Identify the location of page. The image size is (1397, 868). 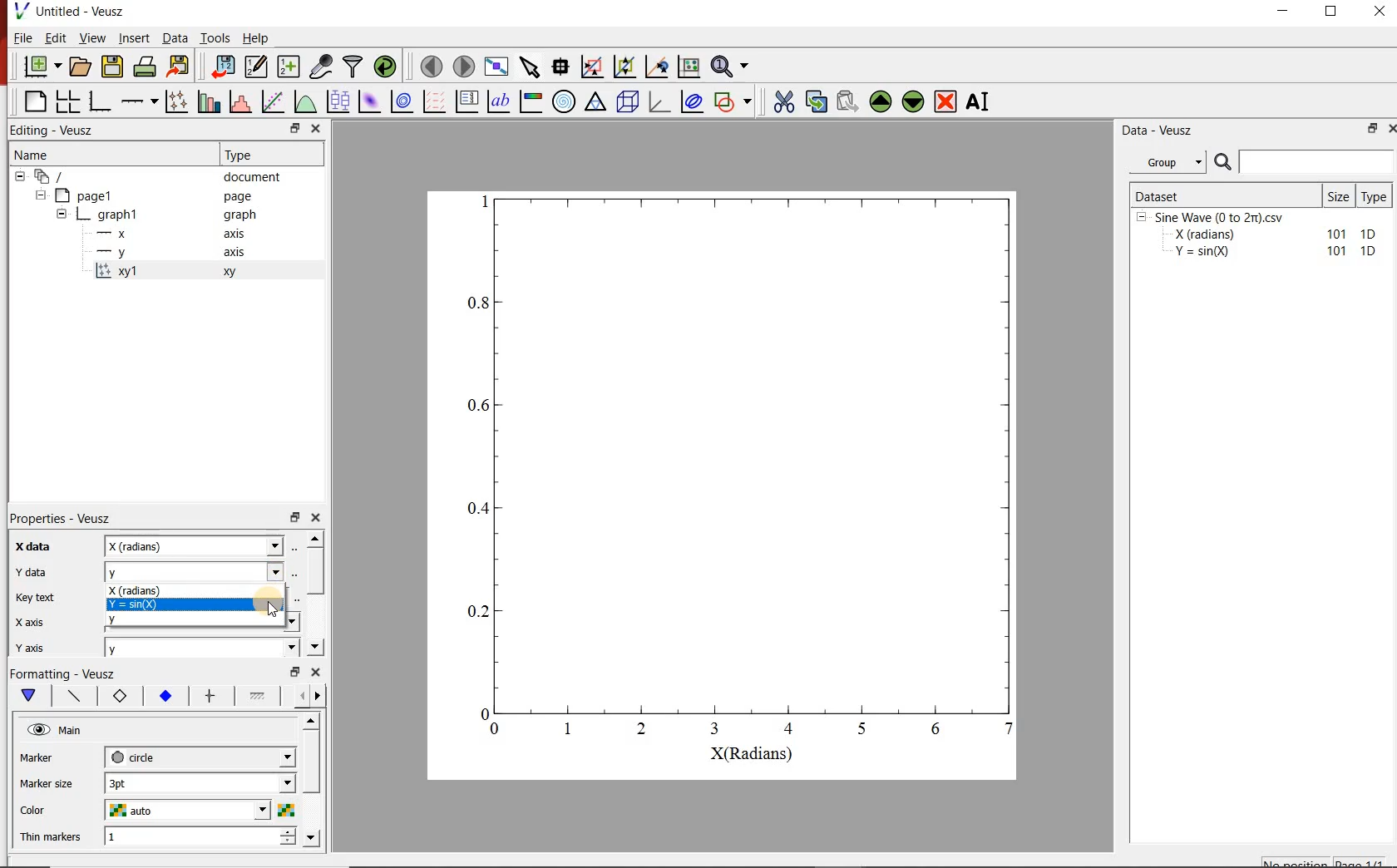
(238, 197).